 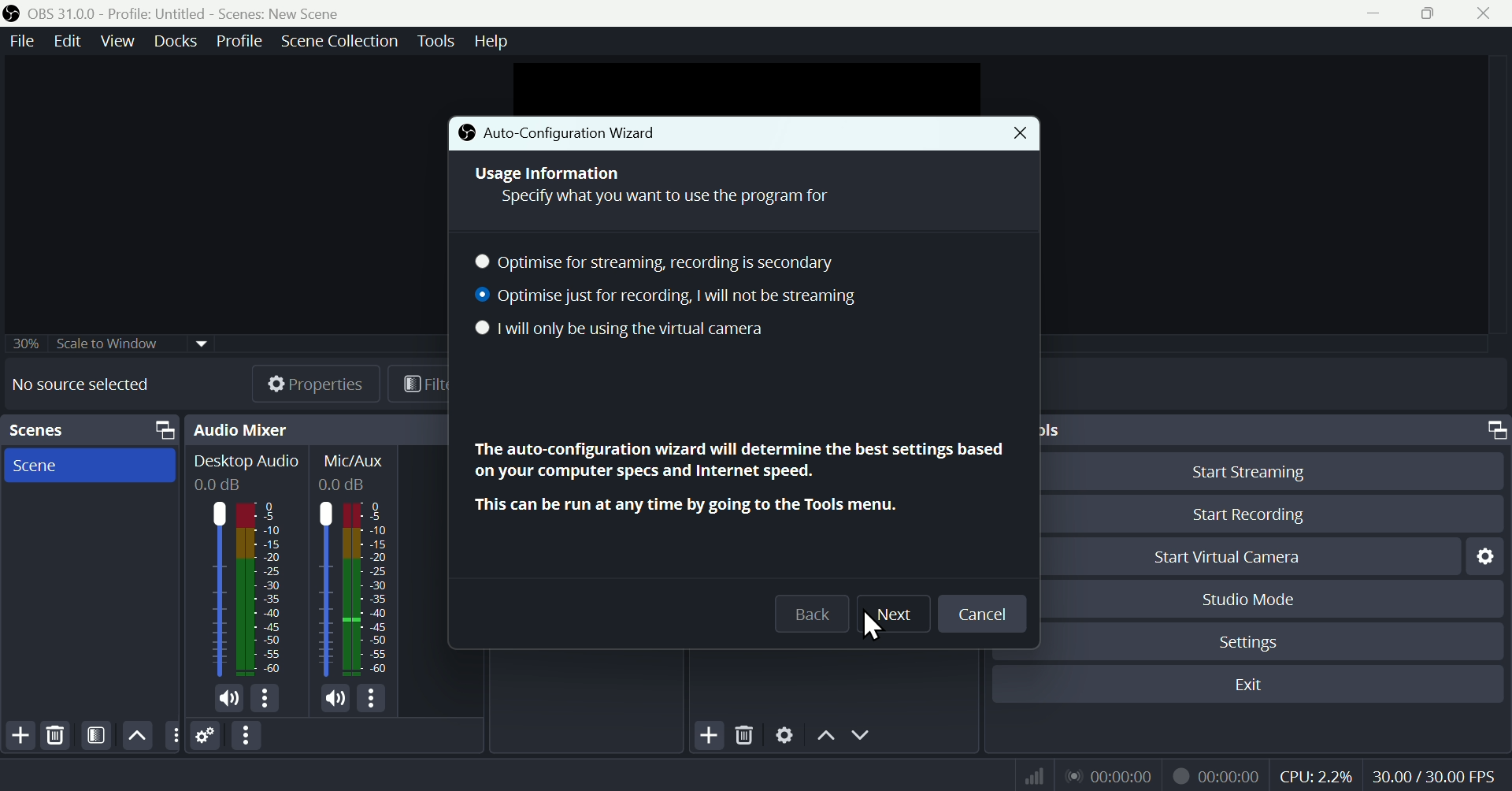 What do you see at coordinates (19, 736) in the screenshot?
I see `Add` at bounding box center [19, 736].